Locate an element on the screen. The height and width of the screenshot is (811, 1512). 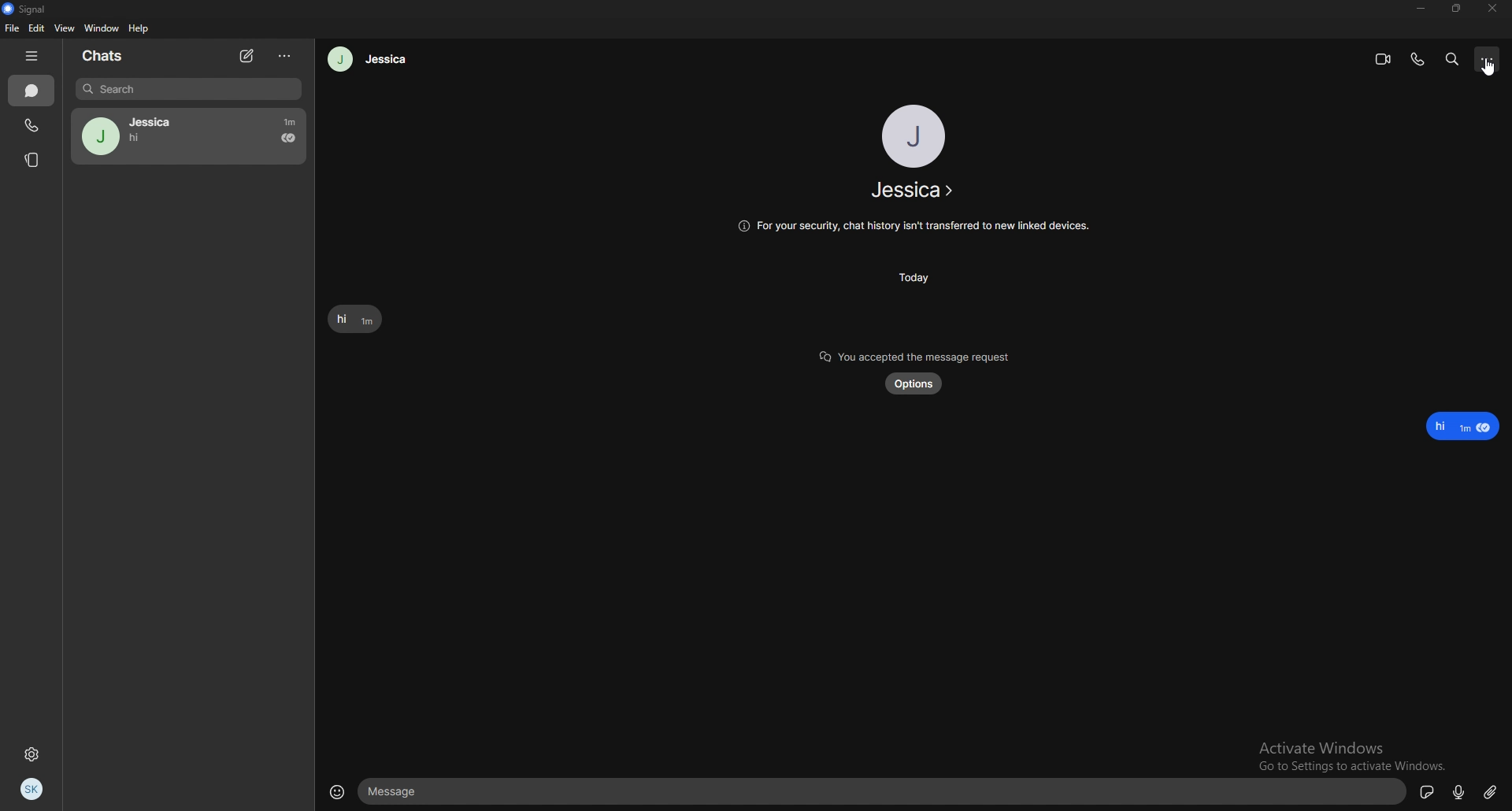
send voice message is located at coordinates (1456, 792).